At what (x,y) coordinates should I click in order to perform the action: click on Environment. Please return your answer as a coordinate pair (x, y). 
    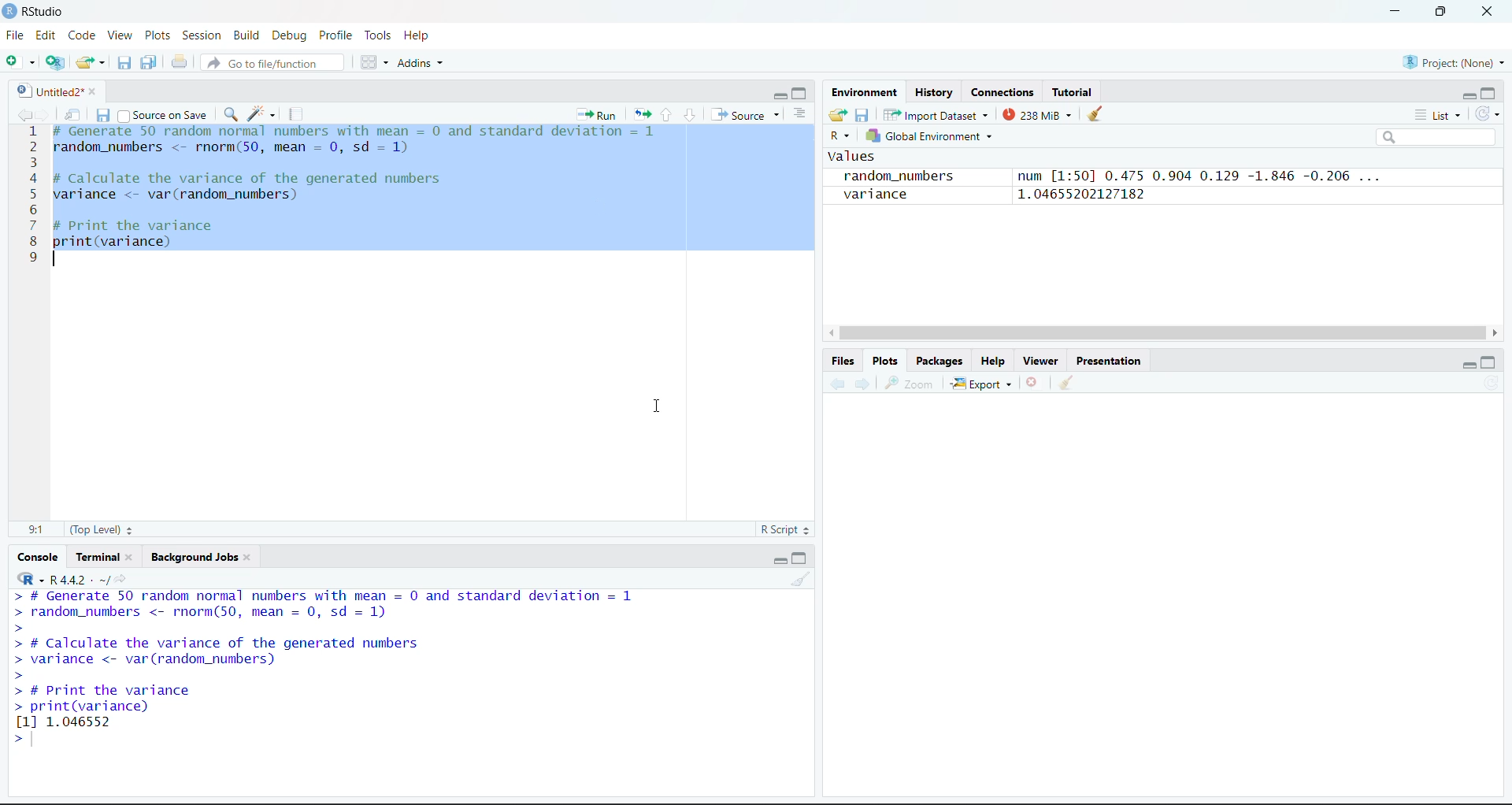
    Looking at the image, I should click on (864, 93).